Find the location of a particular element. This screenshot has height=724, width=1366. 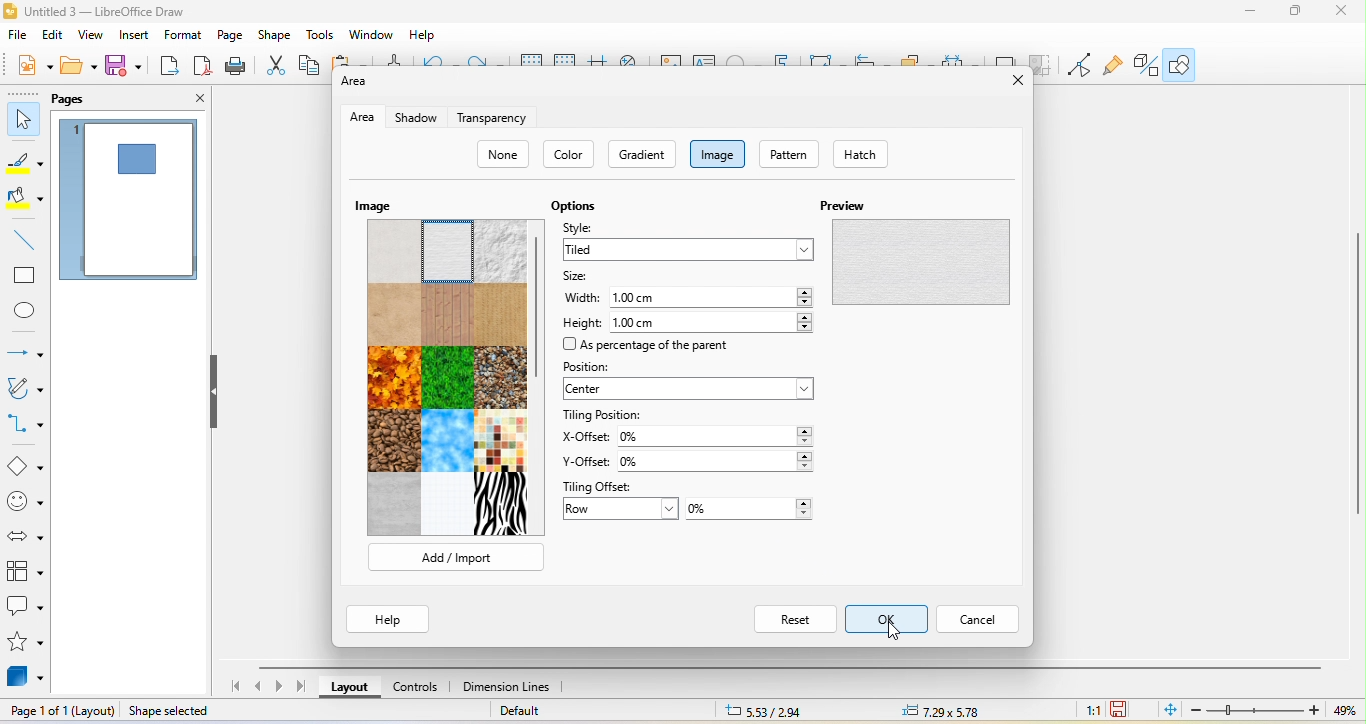

shape is located at coordinates (279, 36).